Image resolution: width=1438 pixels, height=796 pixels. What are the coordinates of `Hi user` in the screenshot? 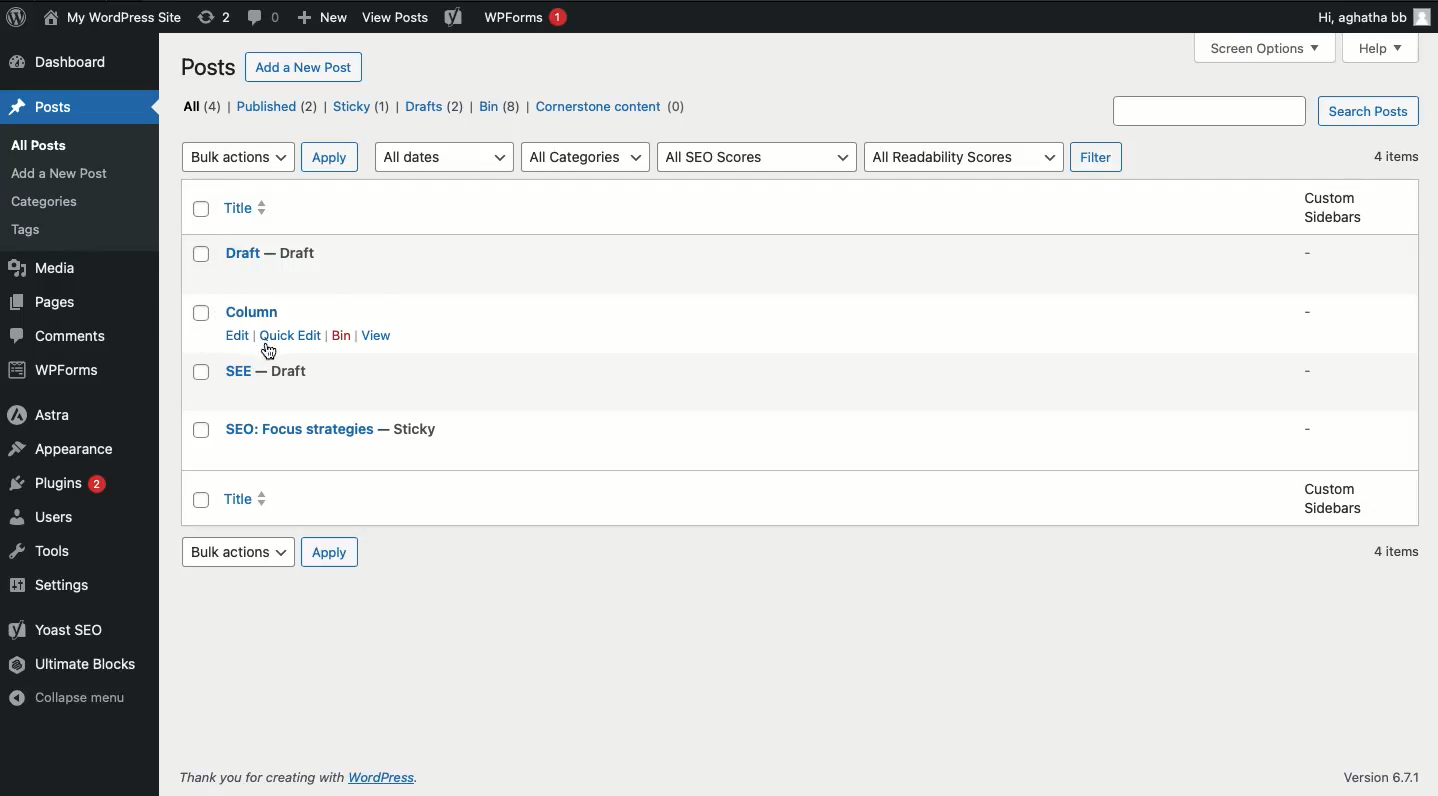 It's located at (1373, 17).